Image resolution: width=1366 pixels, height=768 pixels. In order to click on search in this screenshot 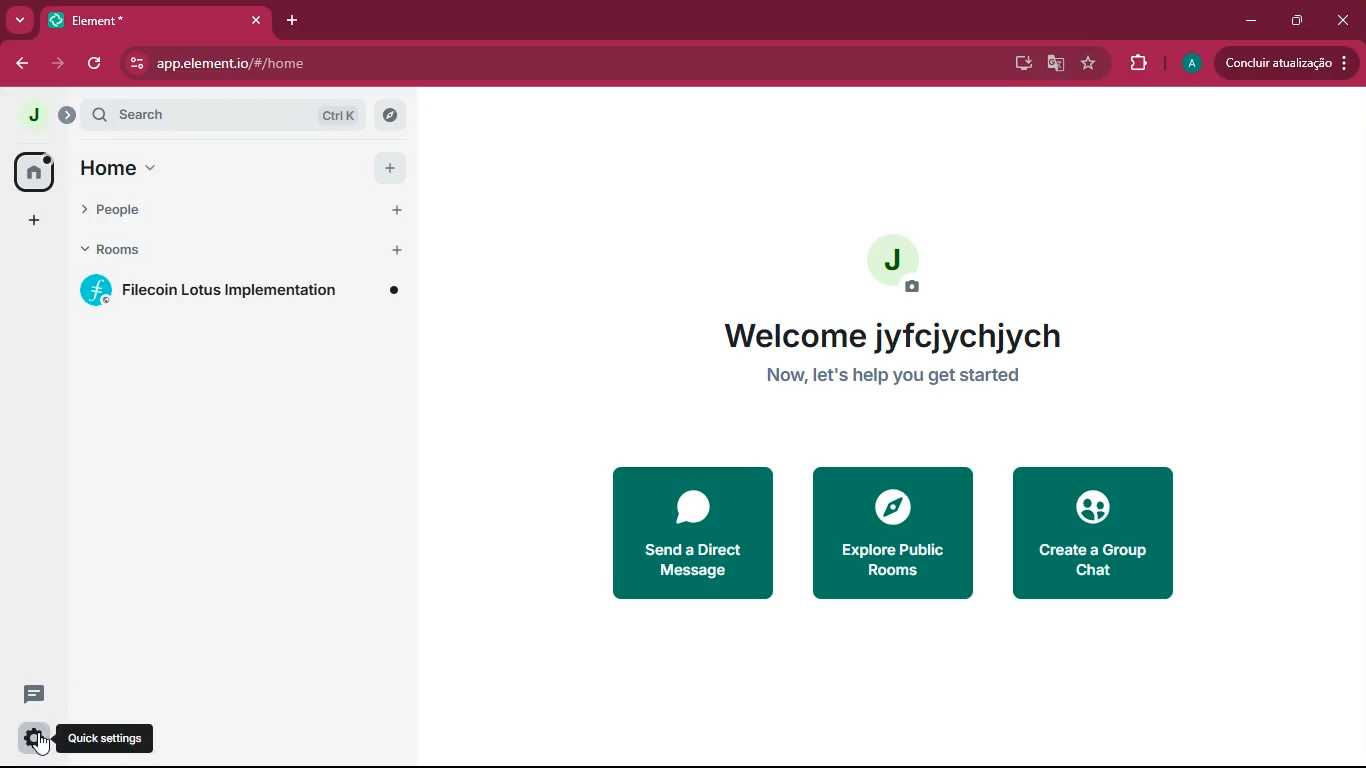, I will do `click(192, 114)`.